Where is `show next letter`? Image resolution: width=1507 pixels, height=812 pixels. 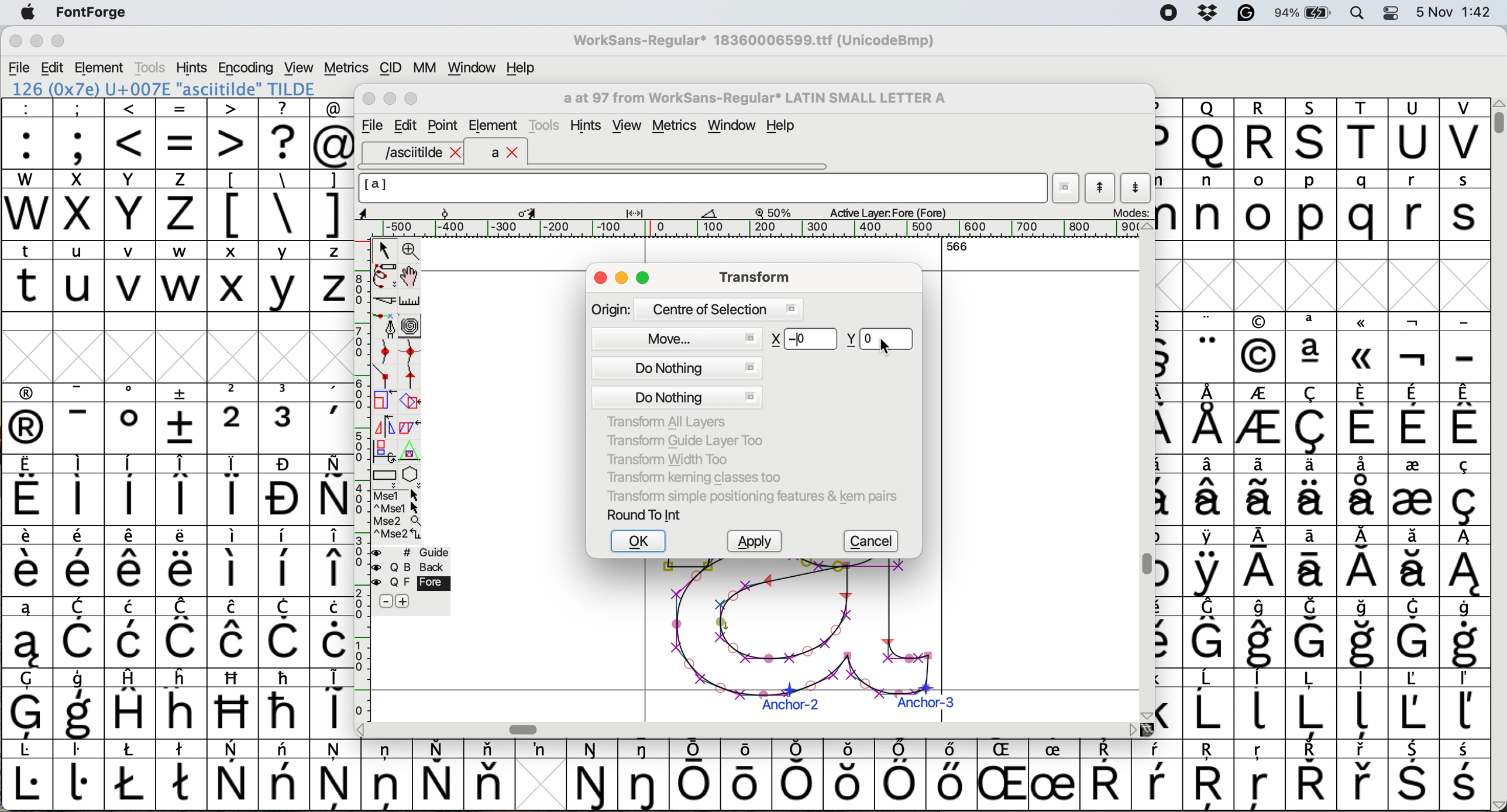 show next letter is located at coordinates (1138, 187).